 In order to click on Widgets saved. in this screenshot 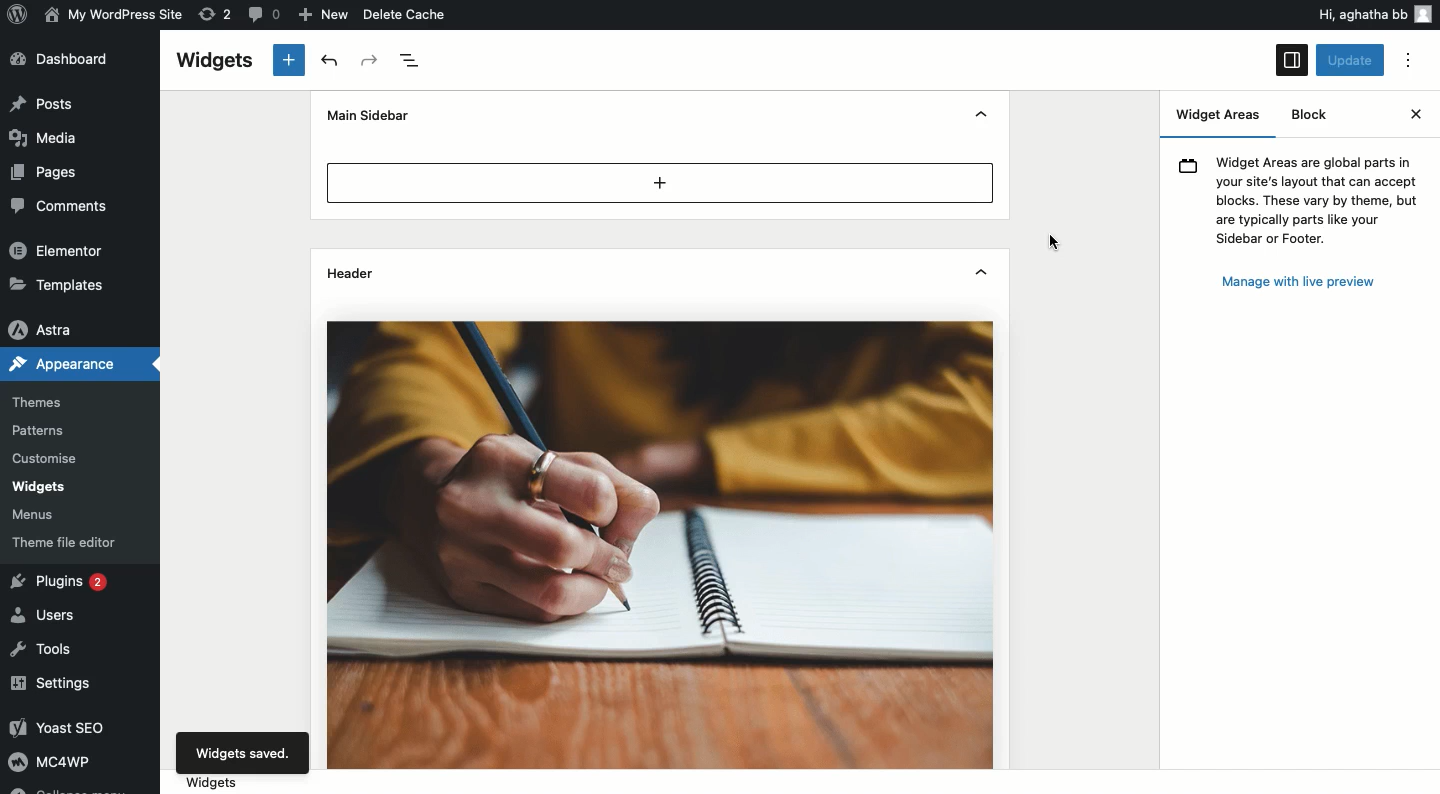, I will do `click(240, 755)`.